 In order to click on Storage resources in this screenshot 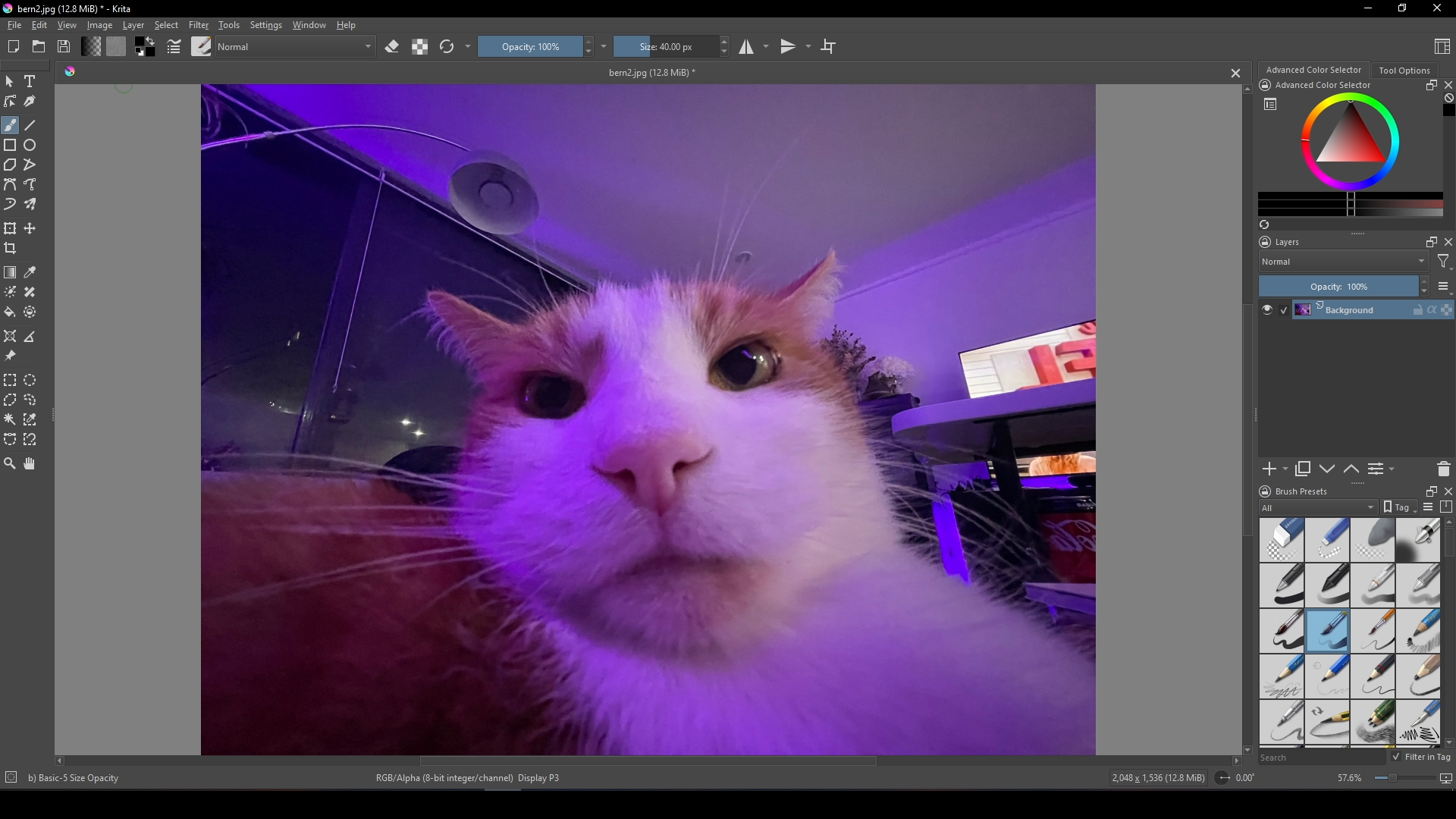, I will do `click(1447, 507)`.